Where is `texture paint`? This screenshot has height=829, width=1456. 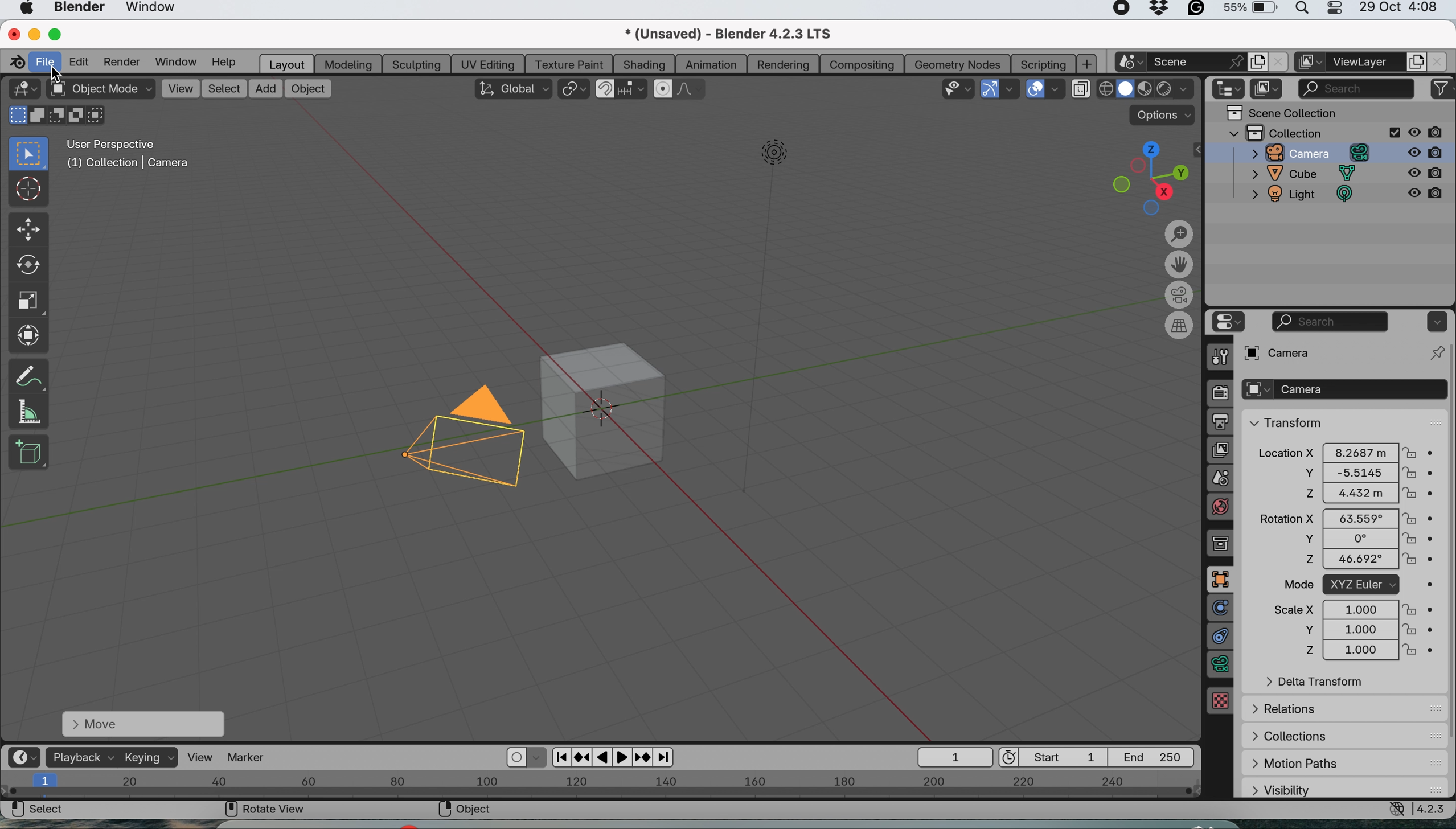 texture paint is located at coordinates (571, 63).